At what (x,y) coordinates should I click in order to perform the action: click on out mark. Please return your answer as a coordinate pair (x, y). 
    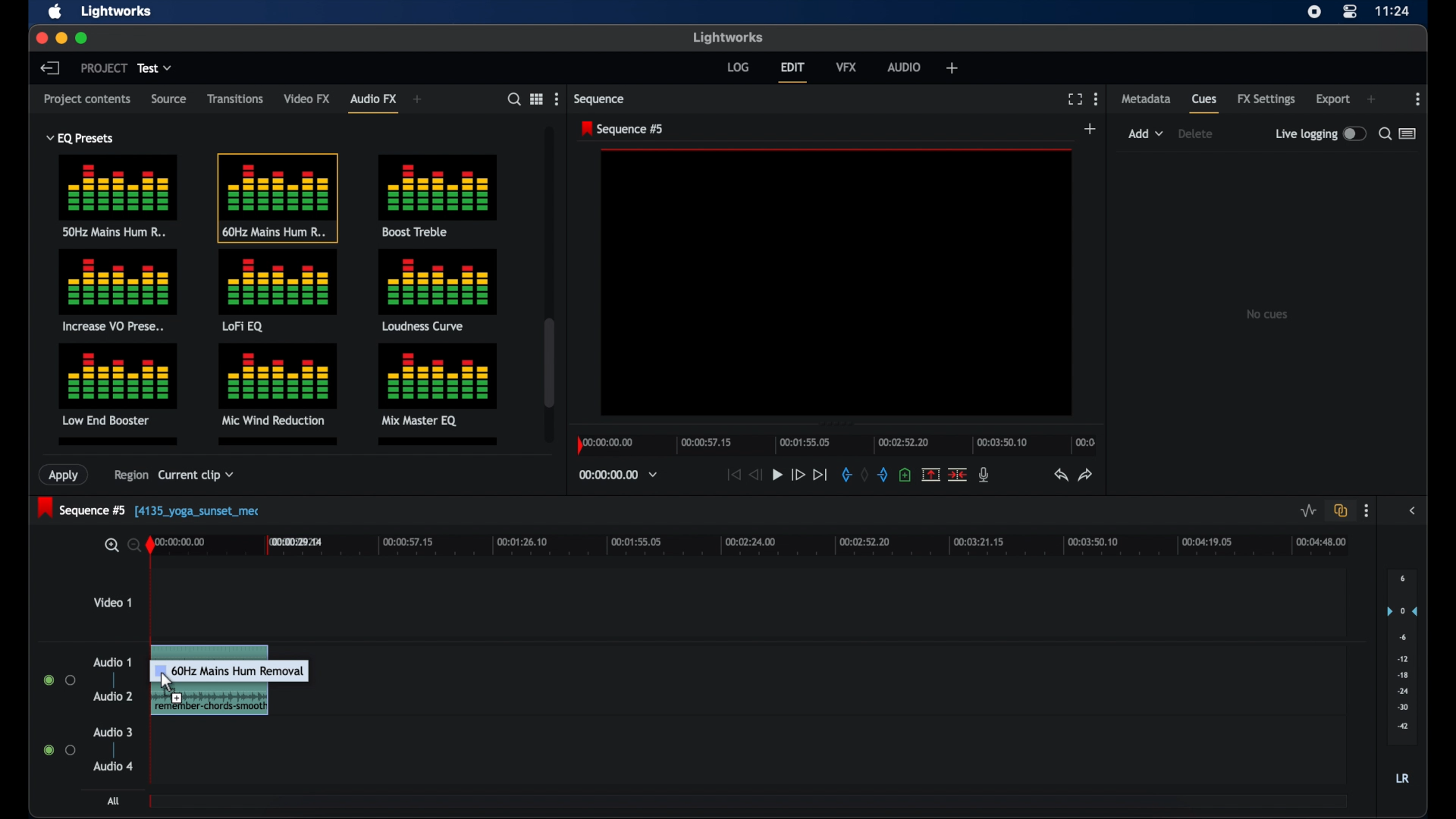
    Looking at the image, I should click on (883, 475).